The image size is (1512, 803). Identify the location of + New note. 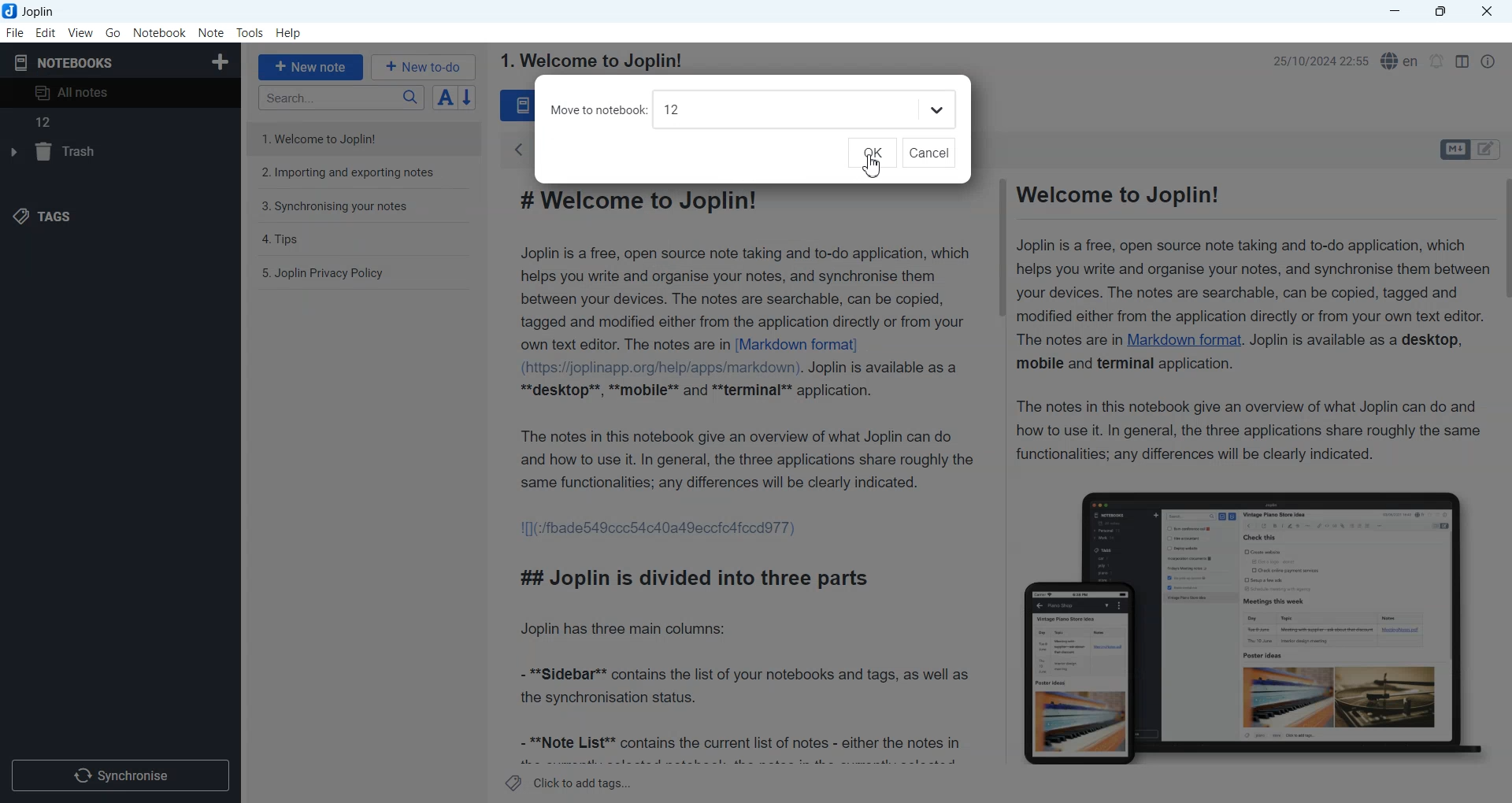
(311, 67).